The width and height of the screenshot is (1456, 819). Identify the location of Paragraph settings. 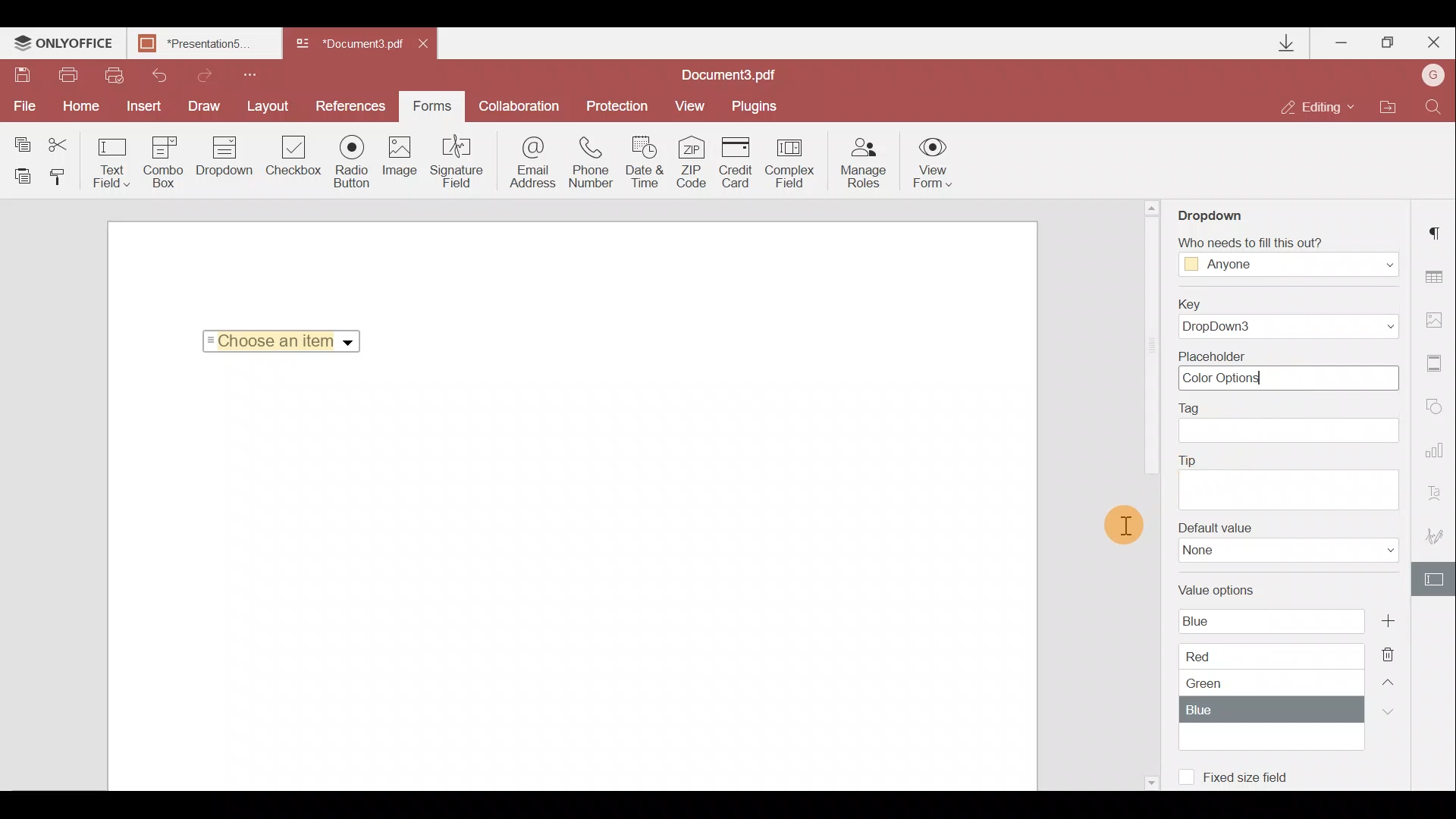
(1439, 231).